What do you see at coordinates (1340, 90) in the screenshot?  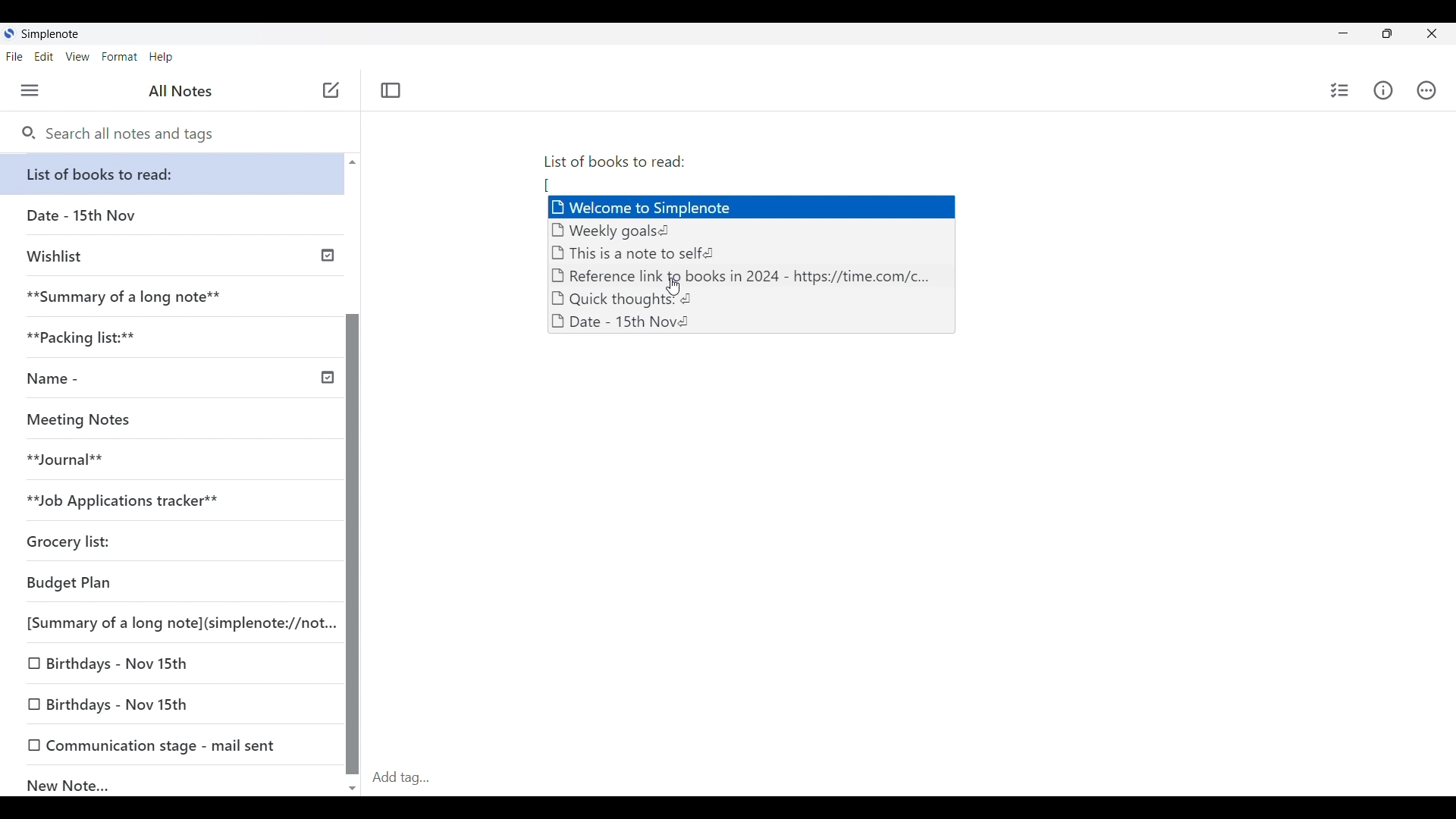 I see `Insert checklist` at bounding box center [1340, 90].